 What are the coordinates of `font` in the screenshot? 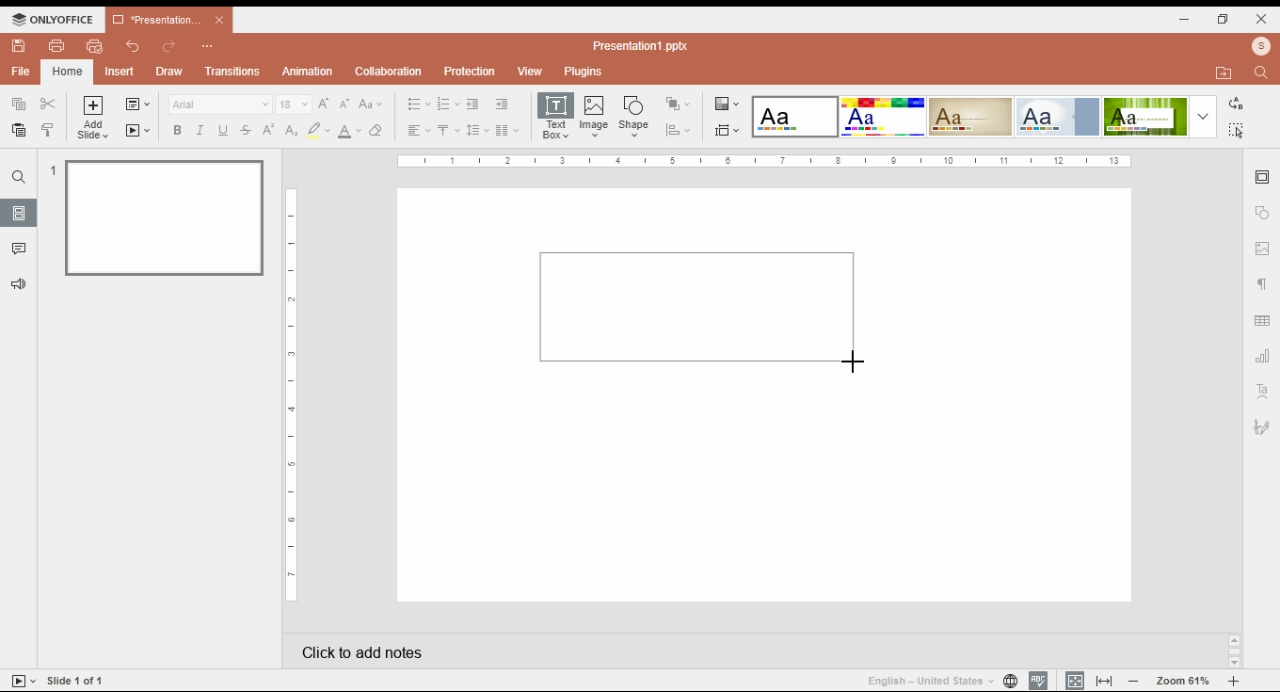 It's located at (220, 104).